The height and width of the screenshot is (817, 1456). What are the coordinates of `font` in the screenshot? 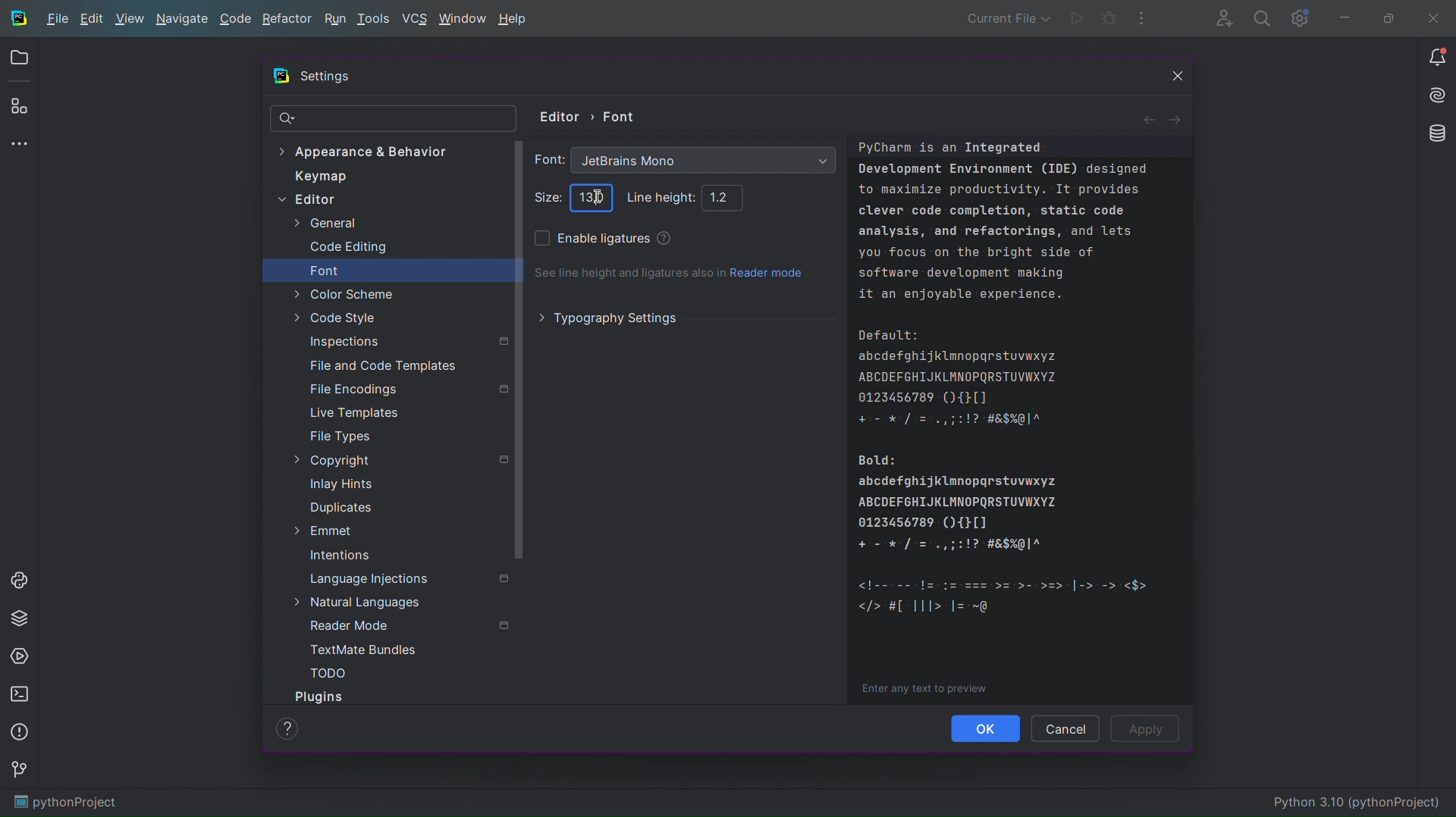 It's located at (547, 159).